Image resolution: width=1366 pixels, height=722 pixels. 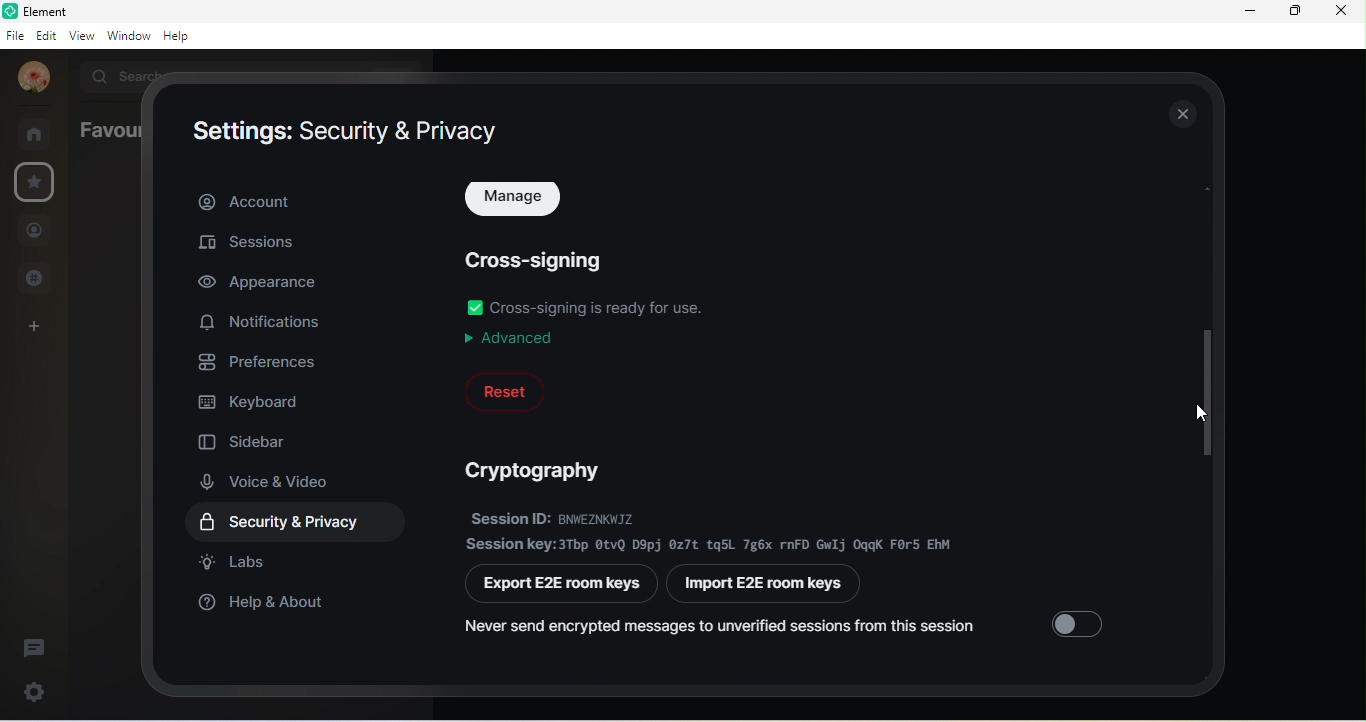 I want to click on labs, so click(x=237, y=562).